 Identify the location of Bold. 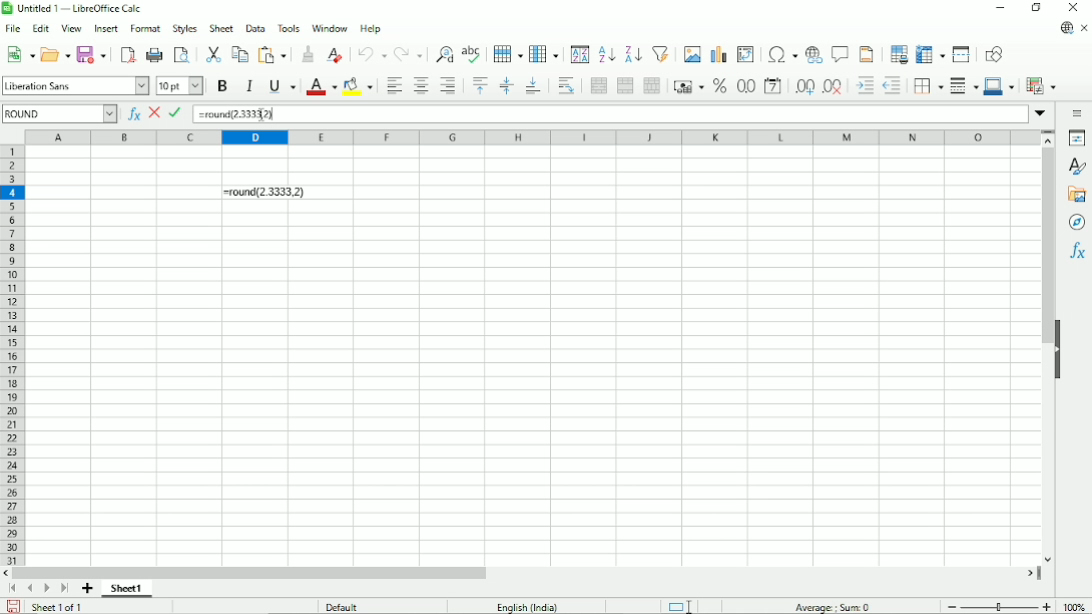
(221, 86).